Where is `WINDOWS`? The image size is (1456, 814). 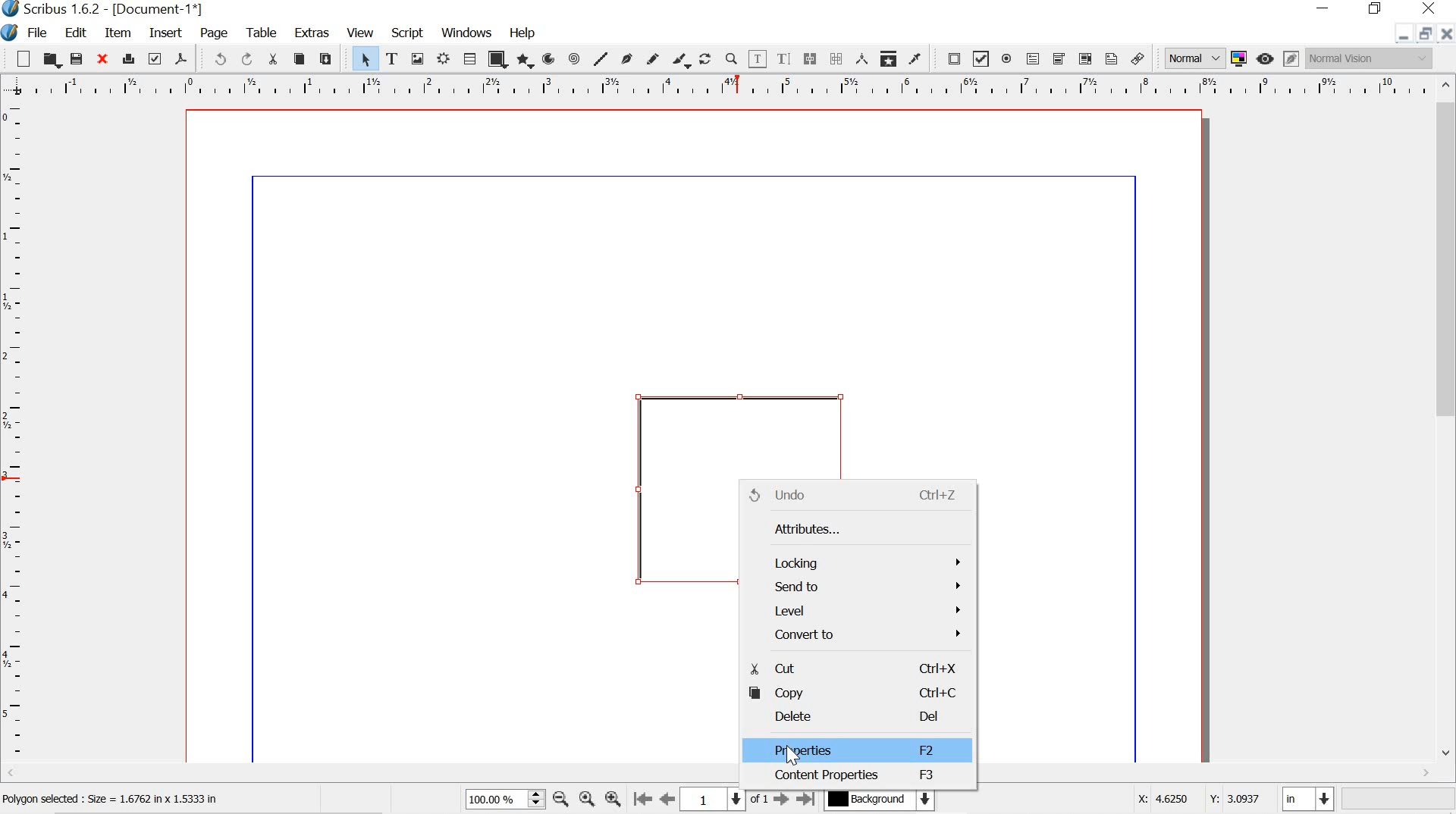 WINDOWS is located at coordinates (466, 32).